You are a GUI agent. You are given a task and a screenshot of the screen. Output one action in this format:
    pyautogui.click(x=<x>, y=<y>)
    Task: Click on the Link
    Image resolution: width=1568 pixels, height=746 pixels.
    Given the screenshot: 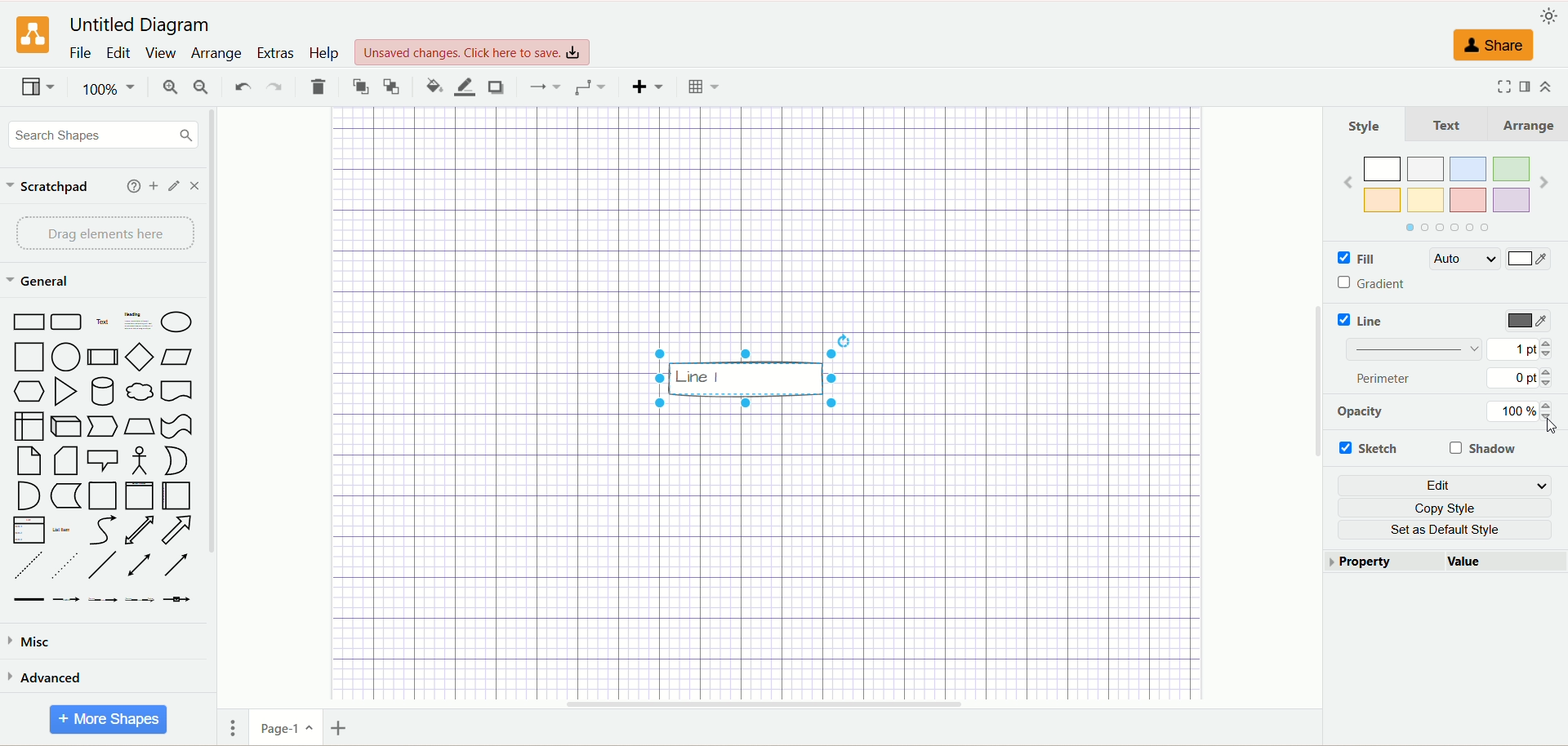 What is the action you would take?
    pyautogui.click(x=29, y=601)
    